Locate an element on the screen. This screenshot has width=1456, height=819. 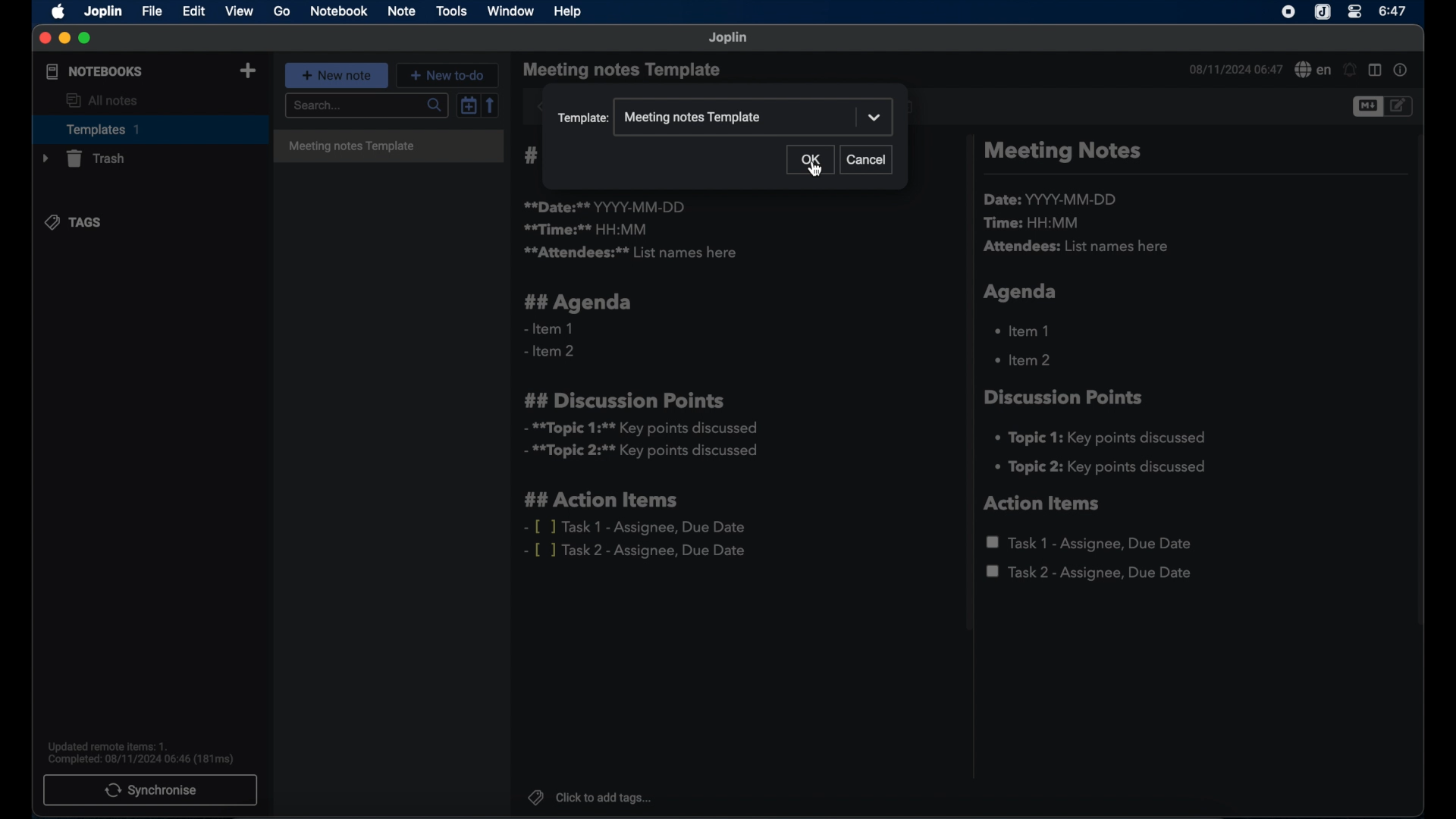
## discussion points is located at coordinates (624, 400).